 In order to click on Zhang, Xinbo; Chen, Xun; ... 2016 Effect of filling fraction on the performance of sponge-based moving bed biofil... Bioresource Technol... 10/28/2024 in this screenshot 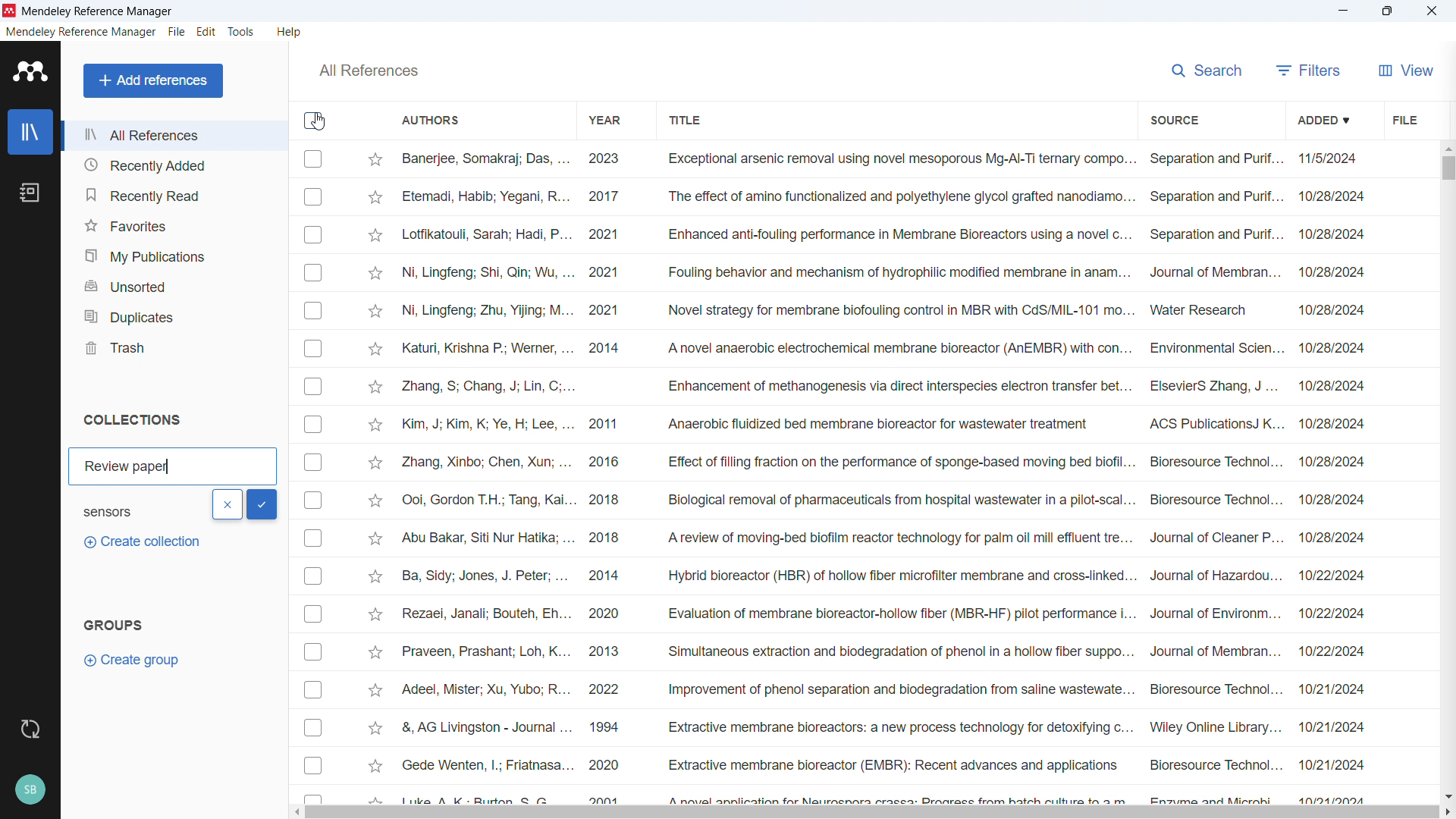, I will do `click(883, 461)`.